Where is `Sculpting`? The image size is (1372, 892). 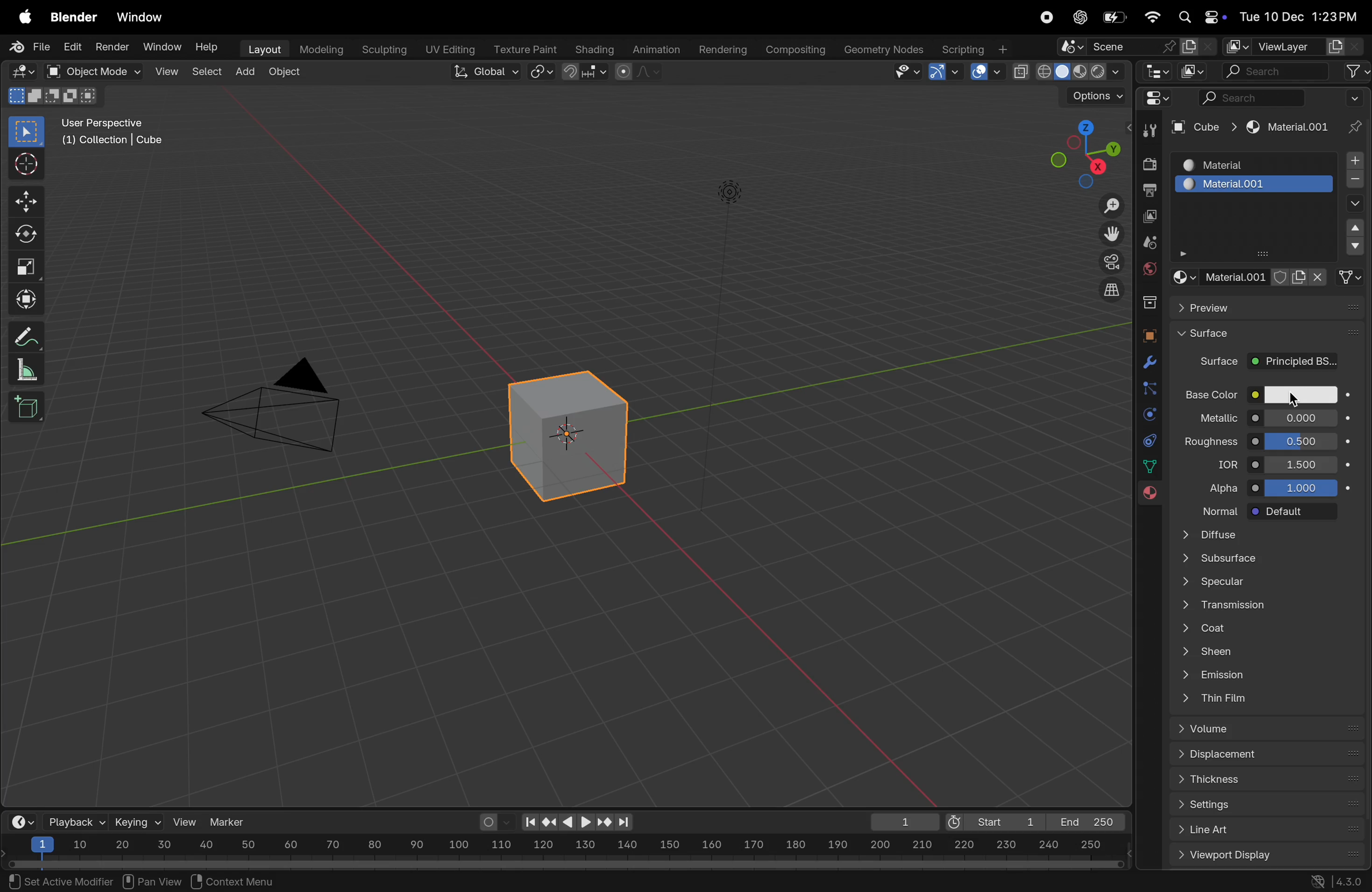 Sculpting is located at coordinates (379, 47).